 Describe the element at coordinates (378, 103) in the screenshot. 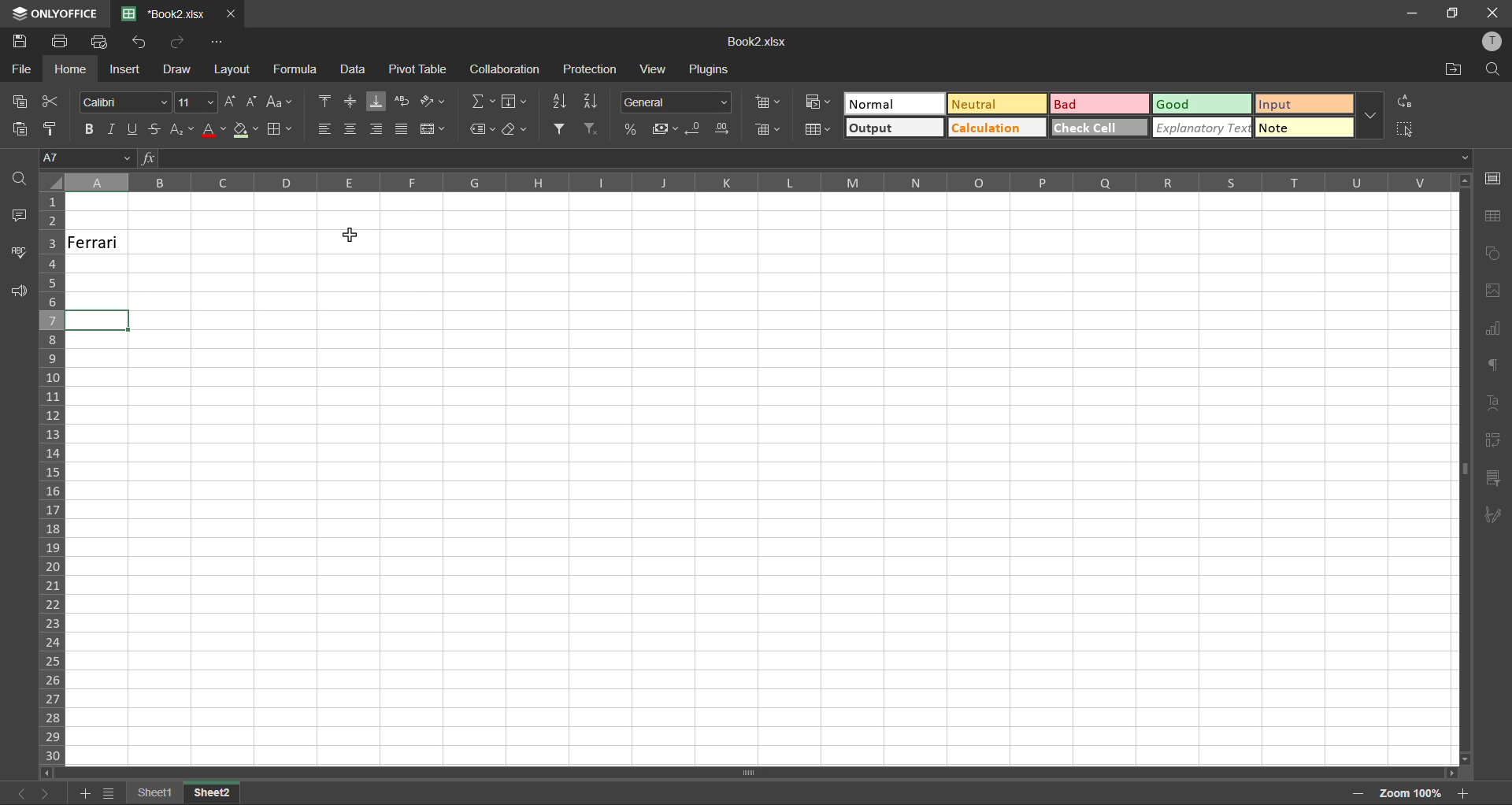

I see `align bottom` at that location.